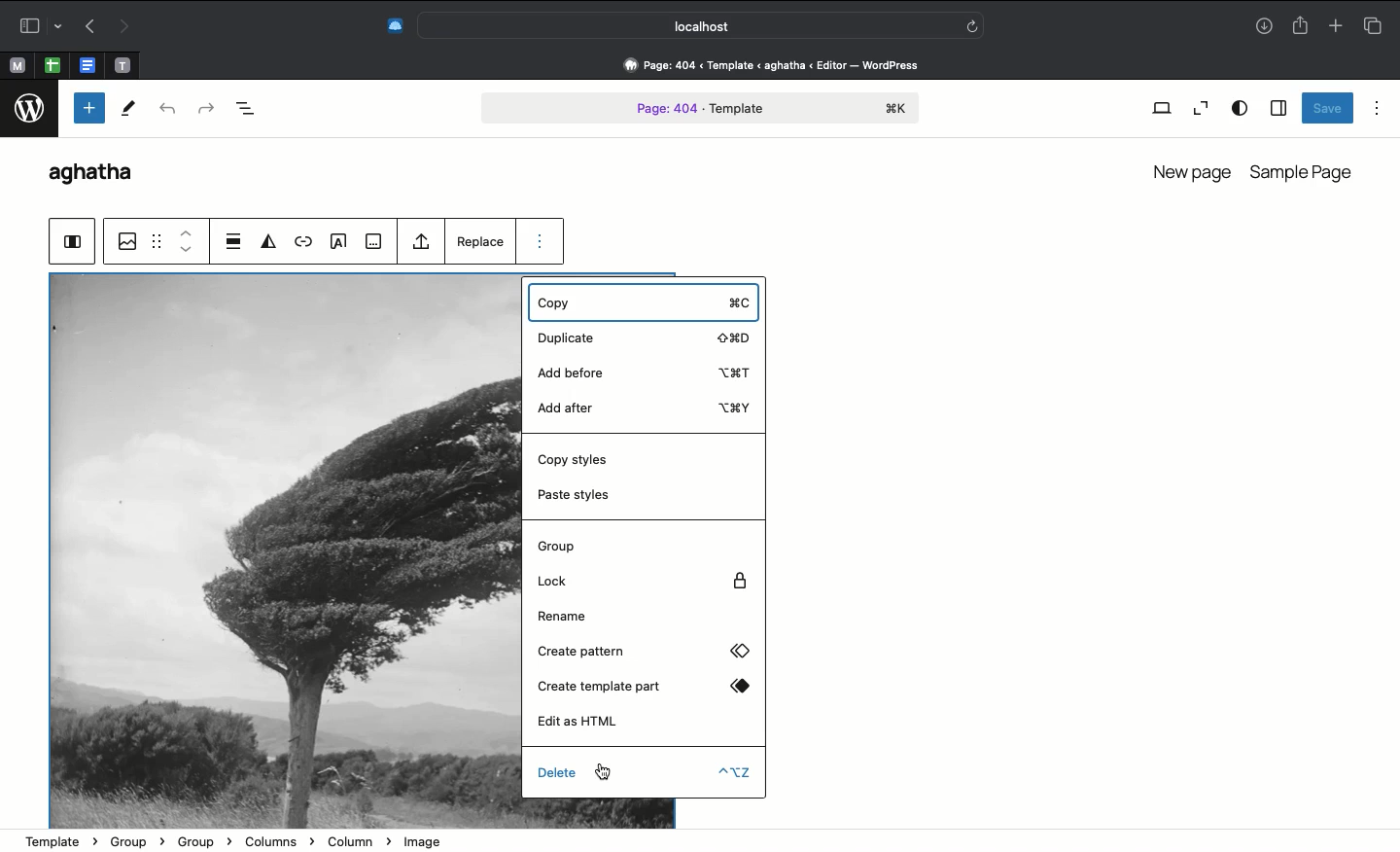 This screenshot has width=1400, height=852. What do you see at coordinates (205, 110) in the screenshot?
I see `Redo` at bounding box center [205, 110].